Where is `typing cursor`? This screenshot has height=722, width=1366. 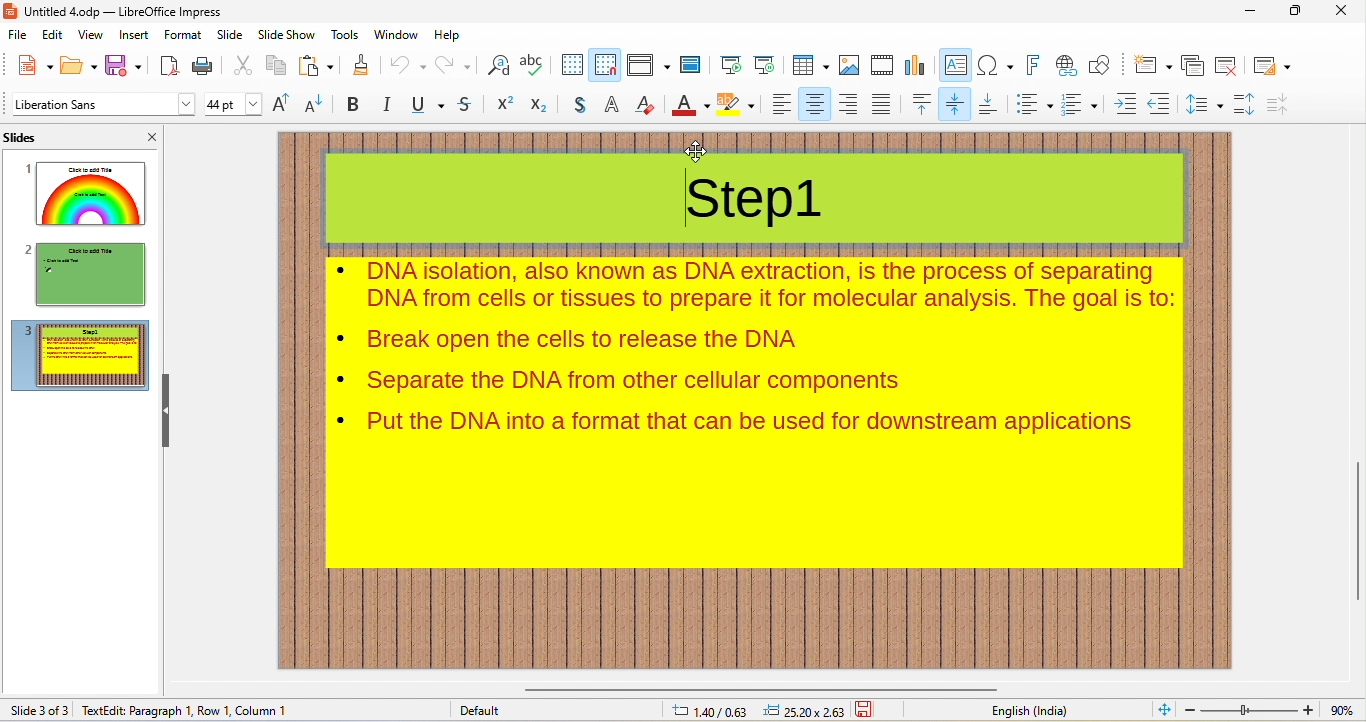 typing cursor is located at coordinates (685, 200).